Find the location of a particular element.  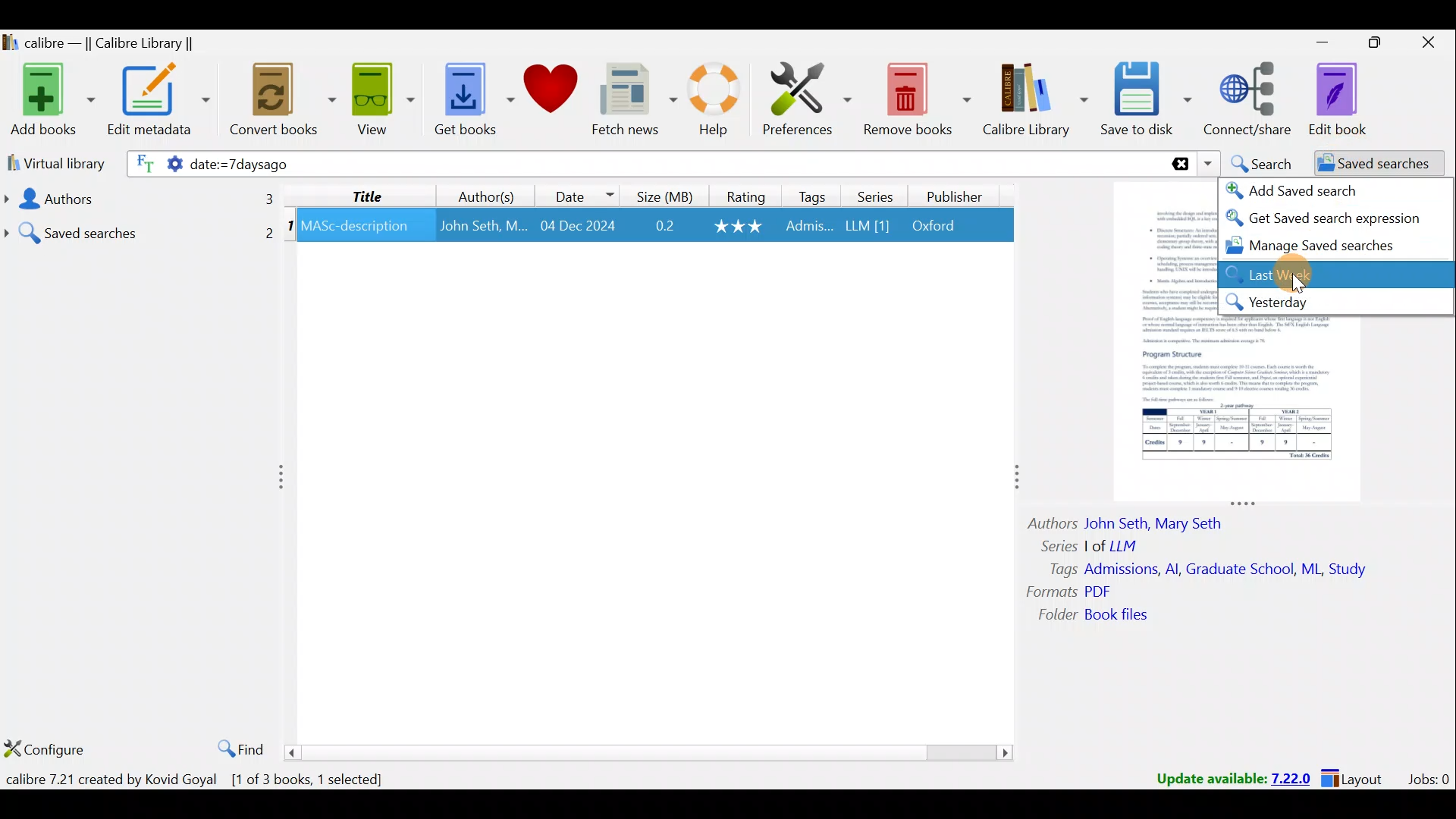

Saved searches is located at coordinates (140, 227).